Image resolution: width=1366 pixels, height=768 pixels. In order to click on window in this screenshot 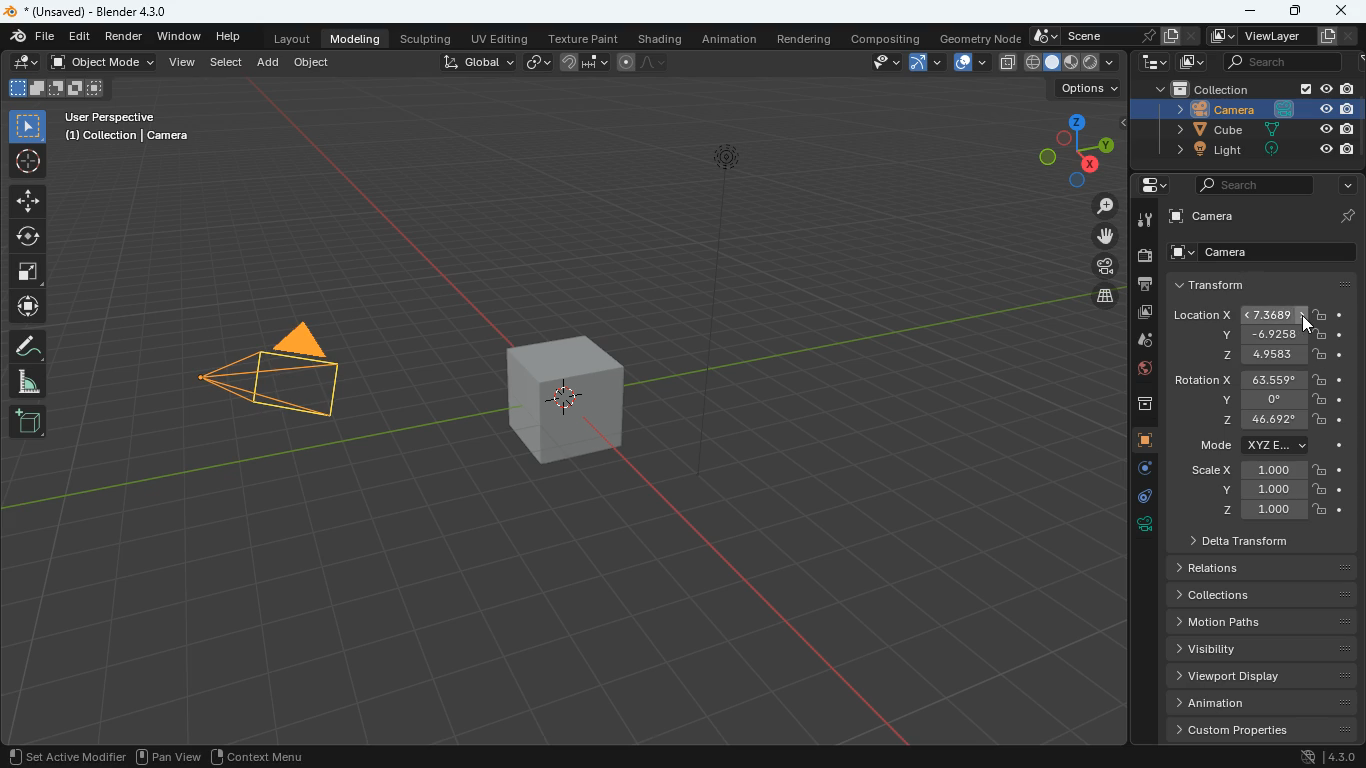, I will do `click(180, 37)`.